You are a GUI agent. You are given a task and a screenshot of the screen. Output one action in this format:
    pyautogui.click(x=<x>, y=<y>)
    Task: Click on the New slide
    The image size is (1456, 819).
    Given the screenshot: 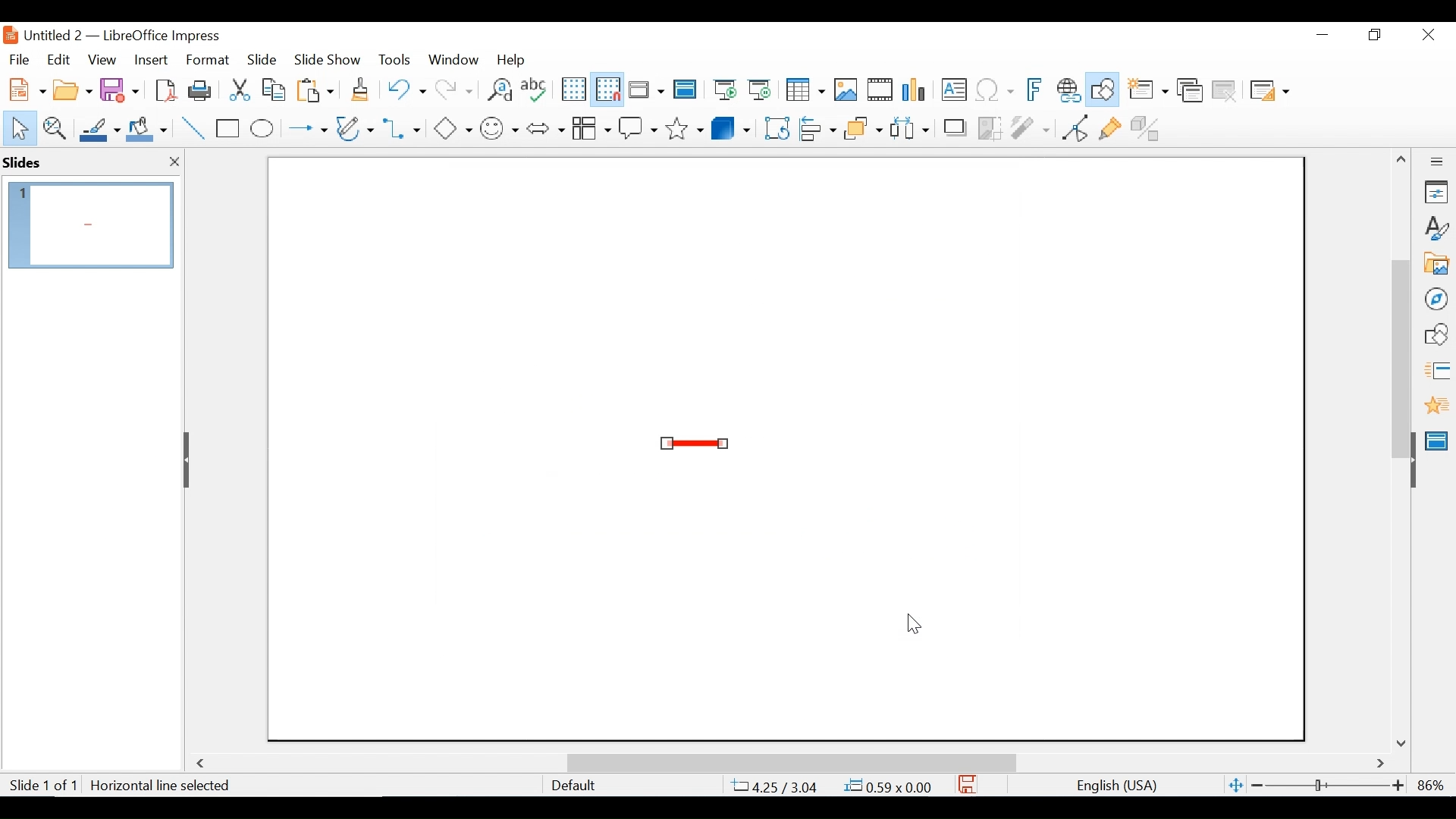 What is the action you would take?
    pyautogui.click(x=1147, y=91)
    